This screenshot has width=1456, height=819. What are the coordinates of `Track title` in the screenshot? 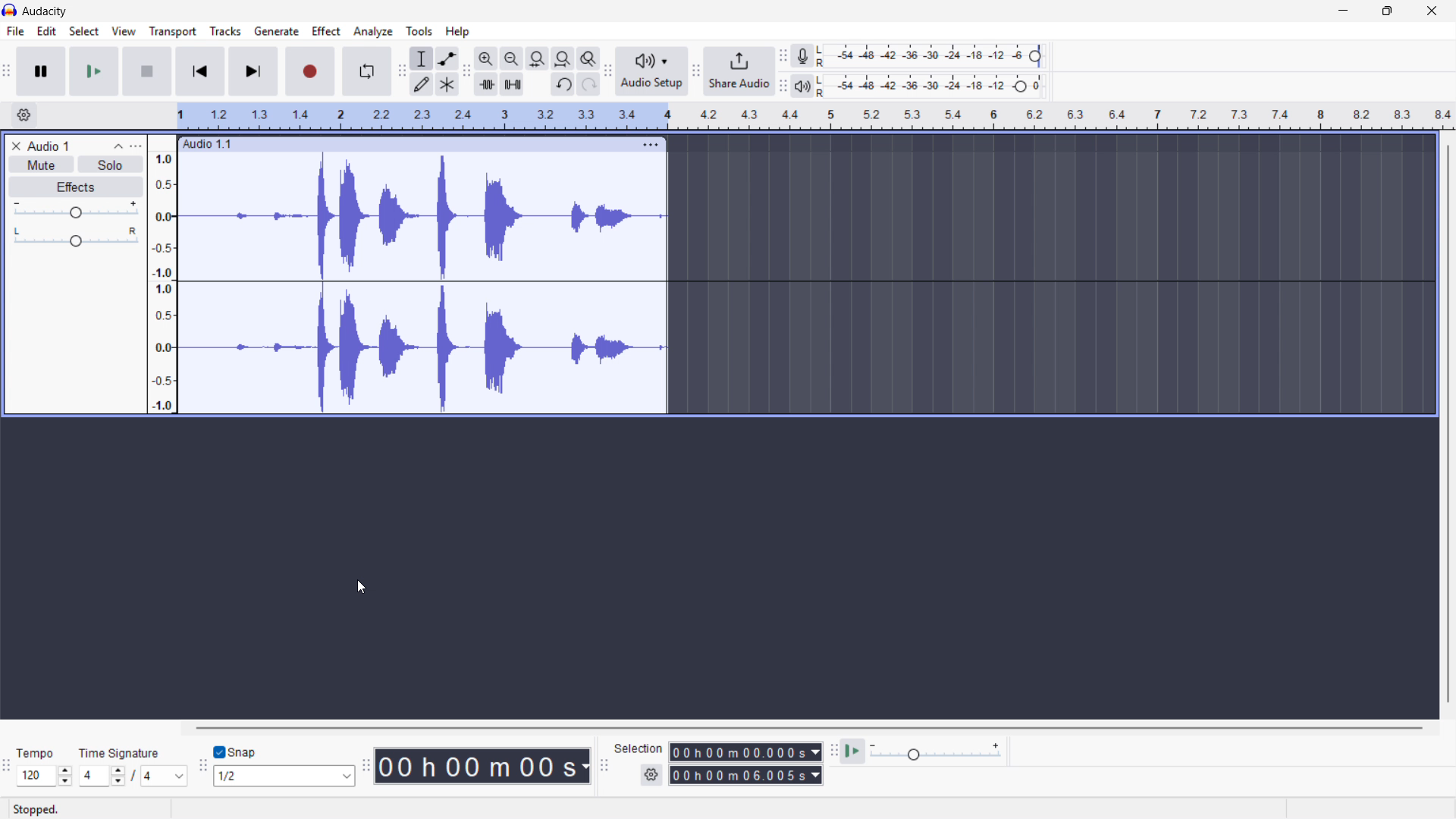 It's located at (49, 146).